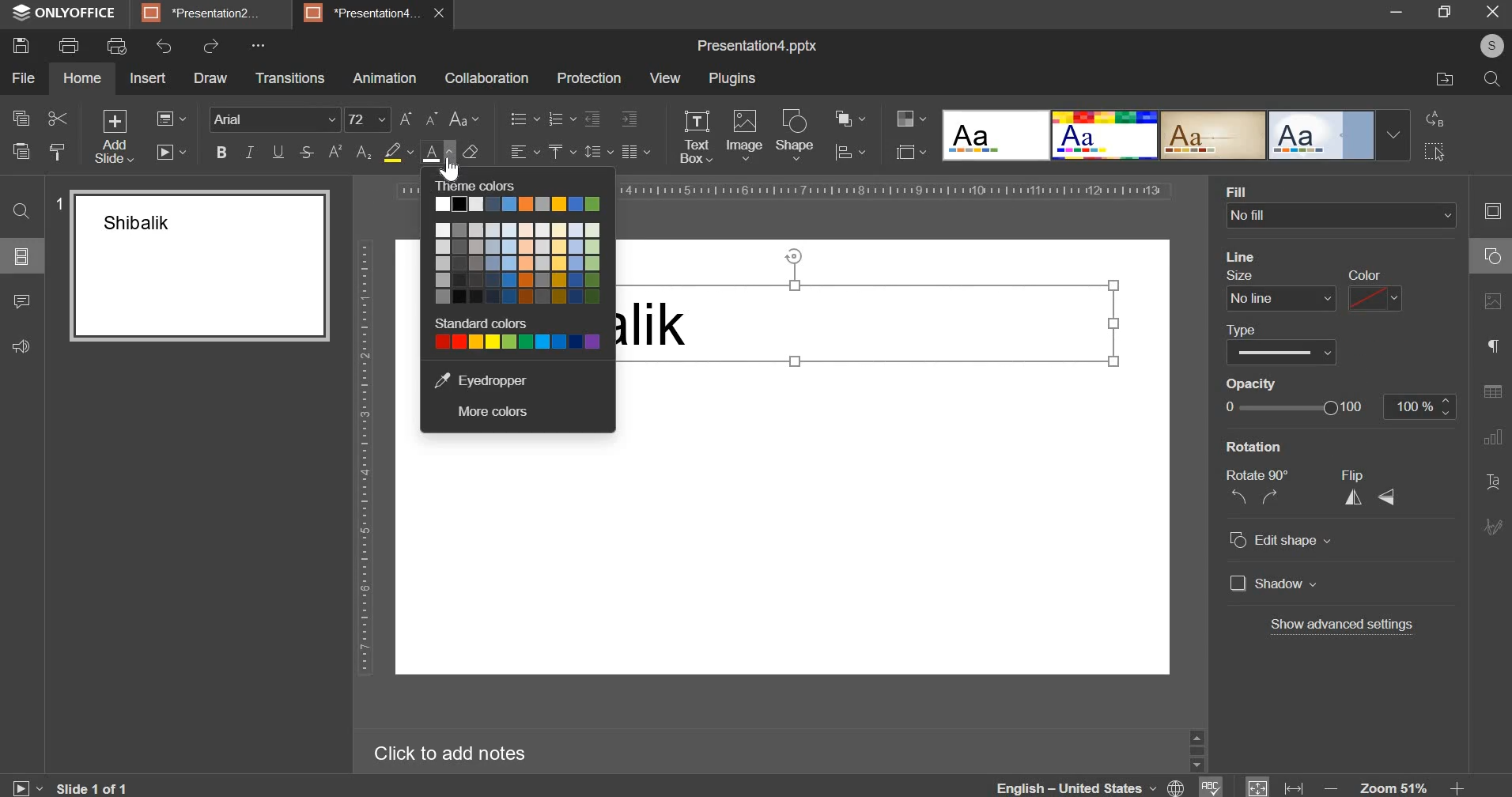 The width and height of the screenshot is (1512, 797). Describe the element at coordinates (20, 13) in the screenshot. I see `onlyoffice logo` at that location.